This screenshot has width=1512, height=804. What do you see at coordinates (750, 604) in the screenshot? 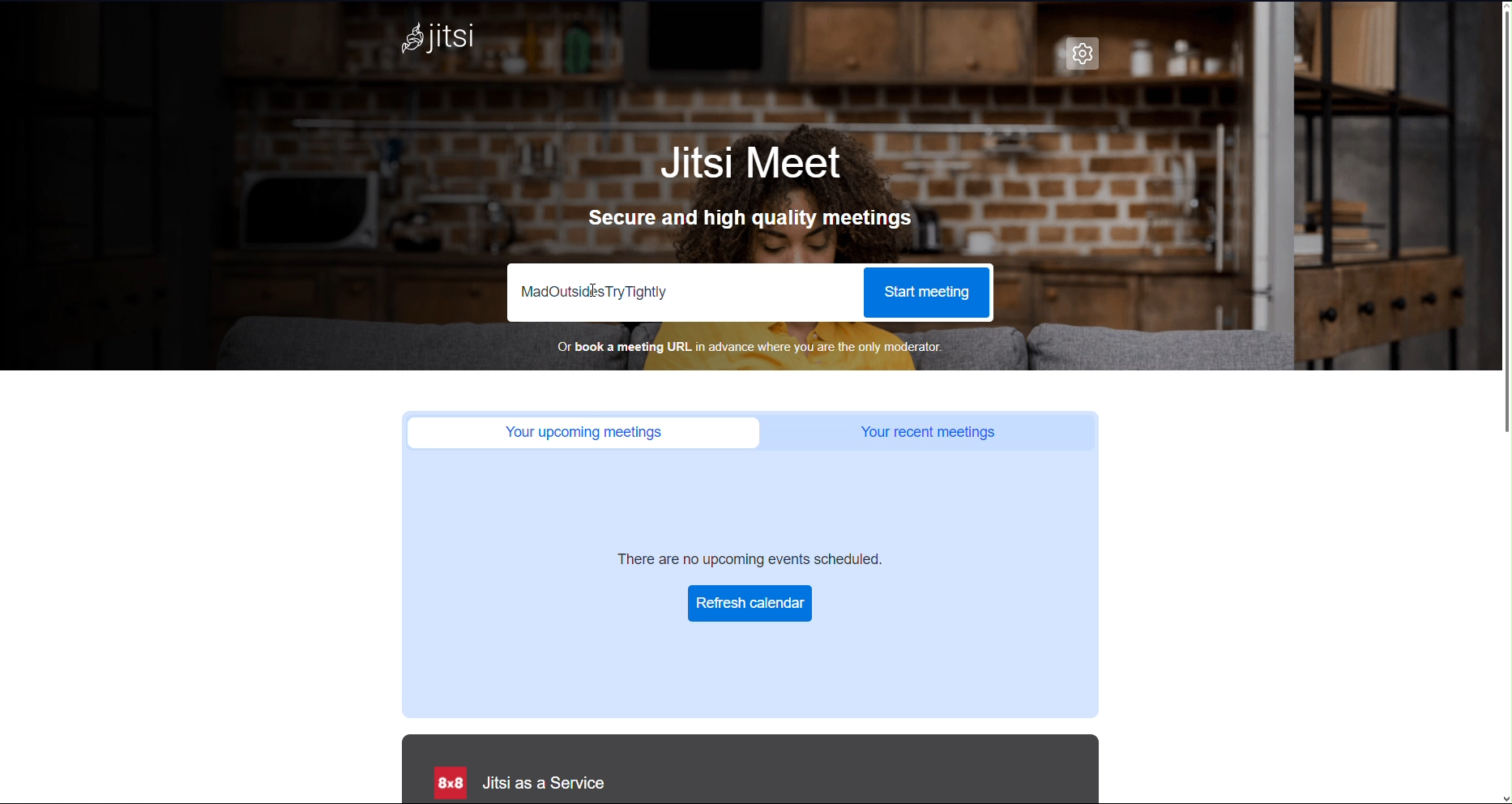
I see `Refresh calendar` at bounding box center [750, 604].